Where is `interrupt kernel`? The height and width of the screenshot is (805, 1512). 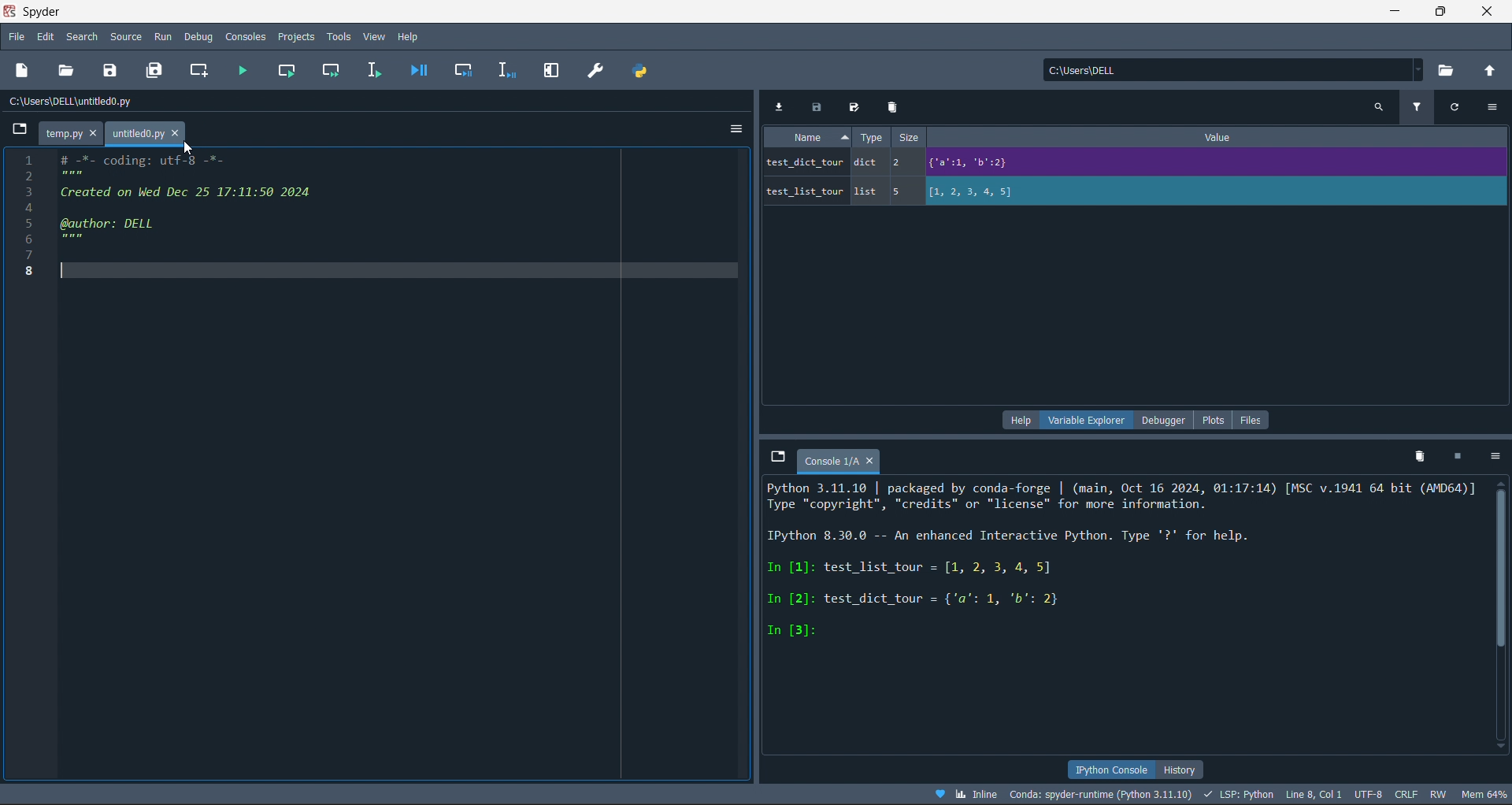
interrupt kernel is located at coordinates (1462, 457).